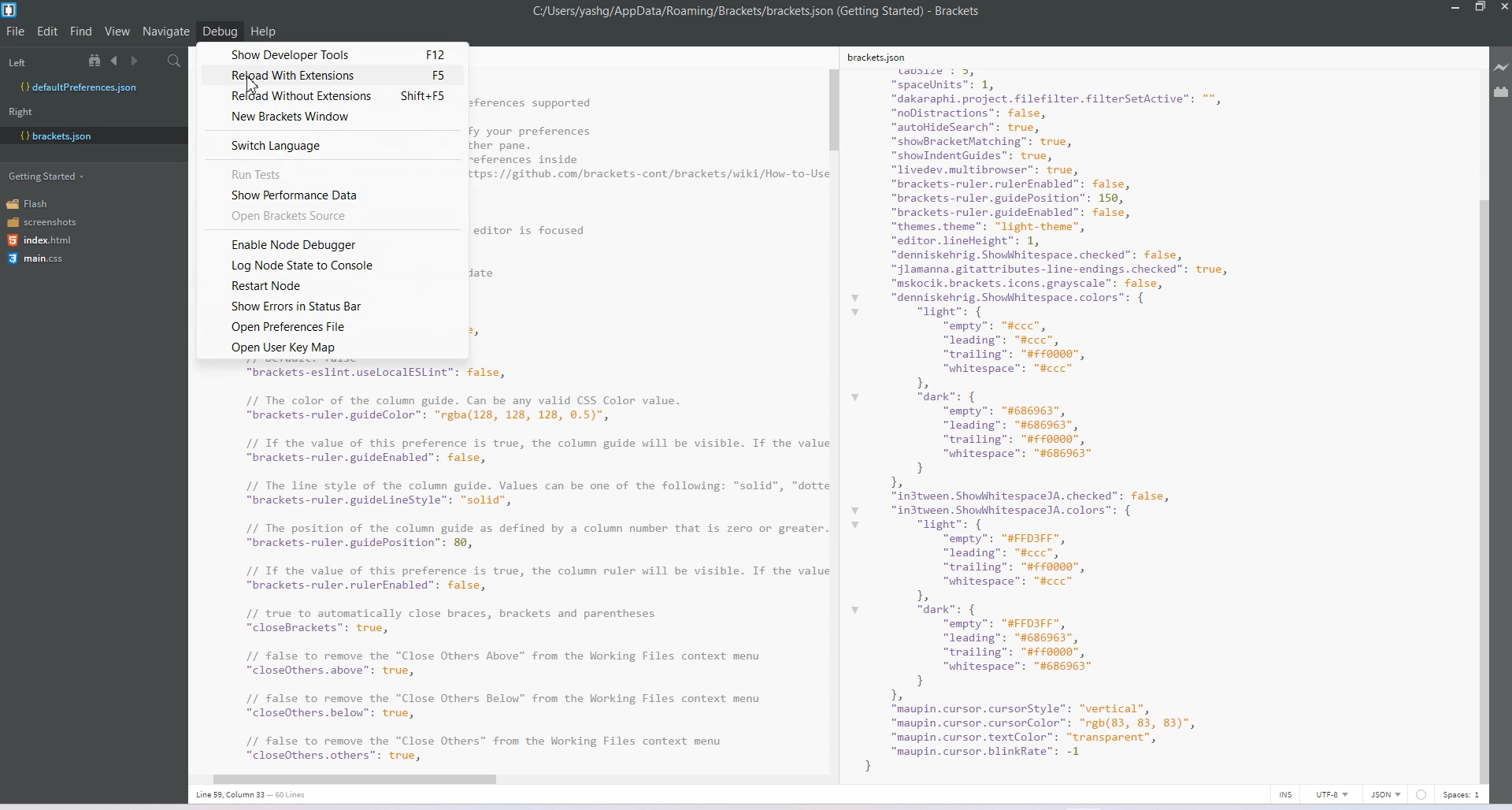 The image size is (1512, 810). I want to click on Open User Key Map, so click(332, 347).